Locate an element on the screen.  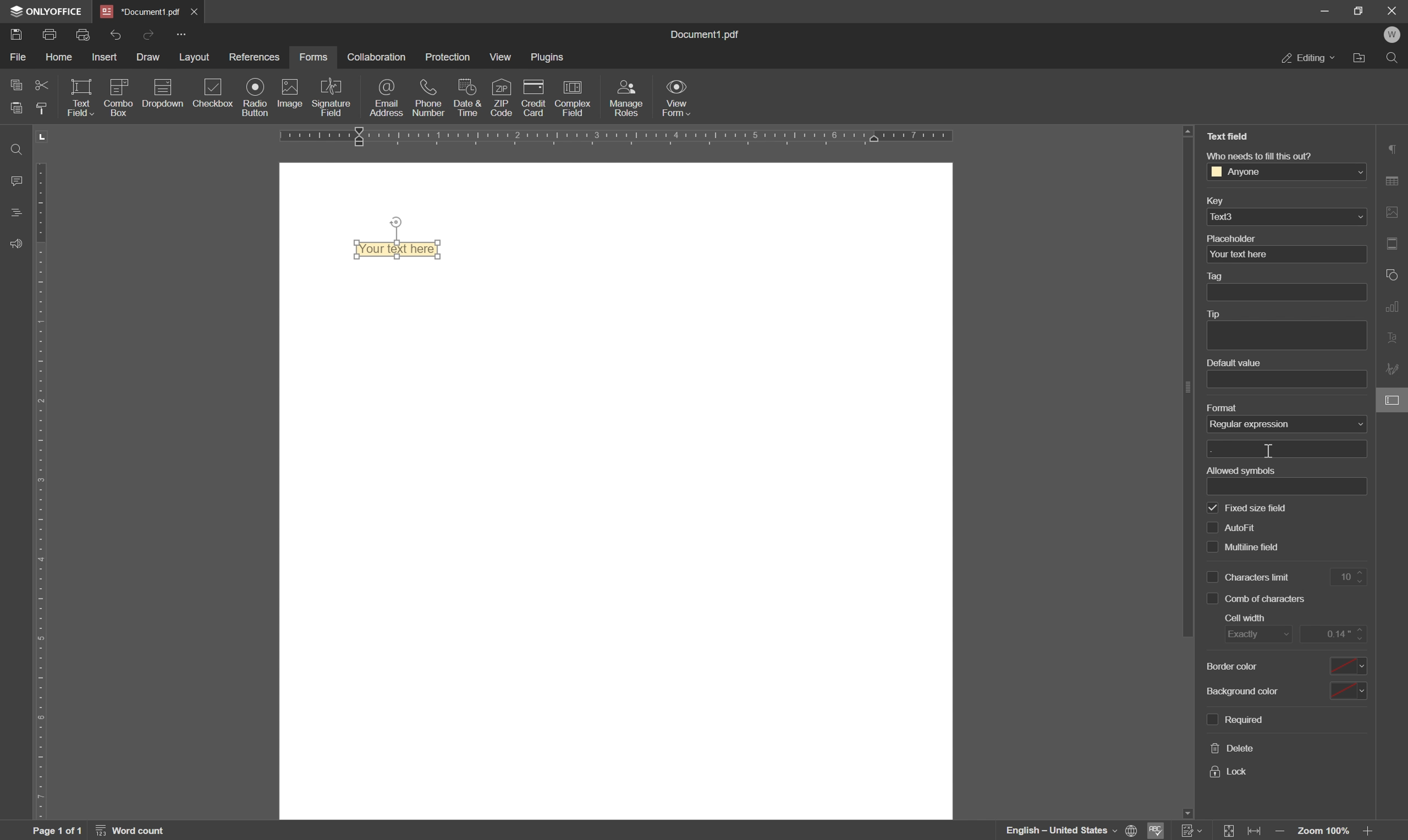
default value textbox is located at coordinates (1289, 379).